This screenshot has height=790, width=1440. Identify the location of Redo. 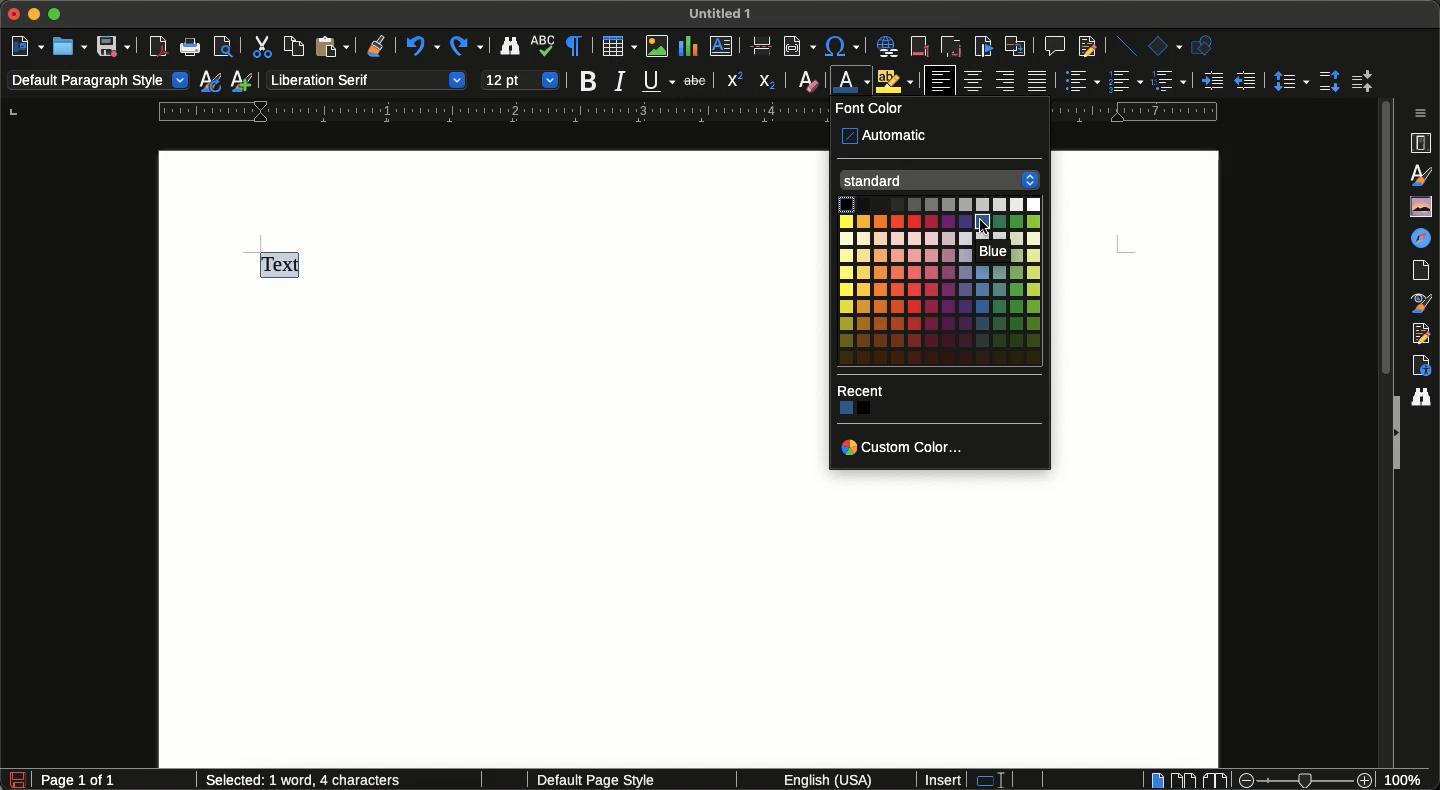
(466, 47).